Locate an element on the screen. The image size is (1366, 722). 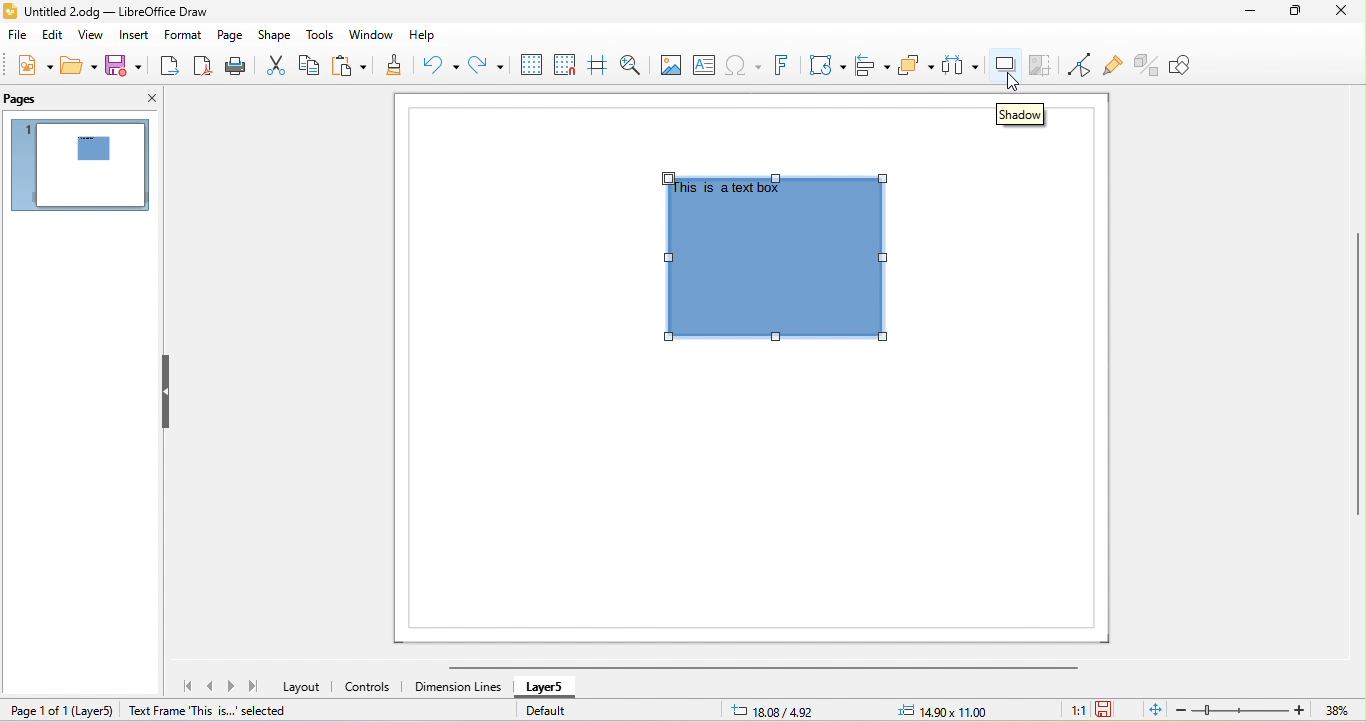
transformation is located at coordinates (828, 66).